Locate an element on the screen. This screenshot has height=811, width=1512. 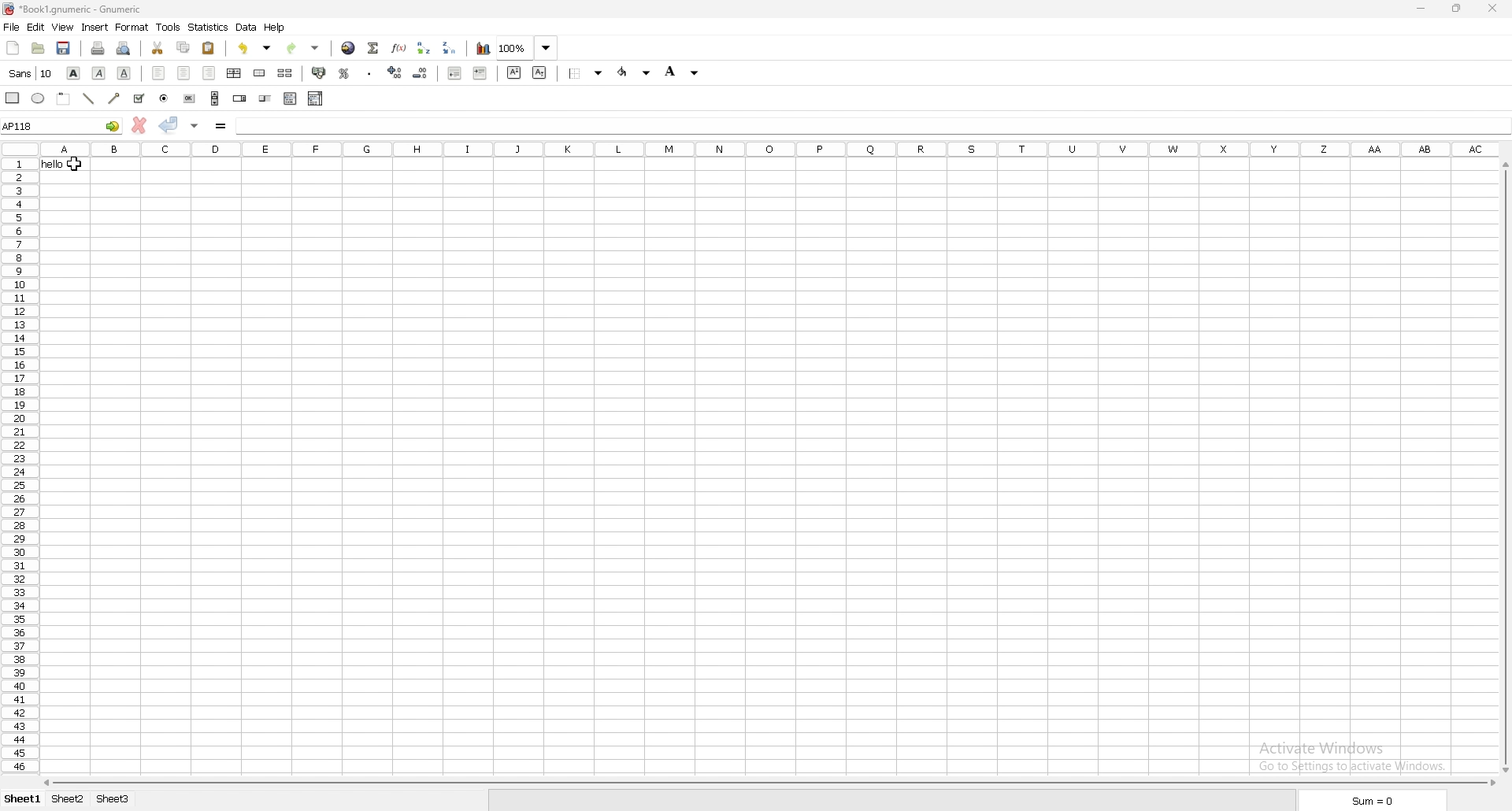
left align is located at coordinates (161, 72).